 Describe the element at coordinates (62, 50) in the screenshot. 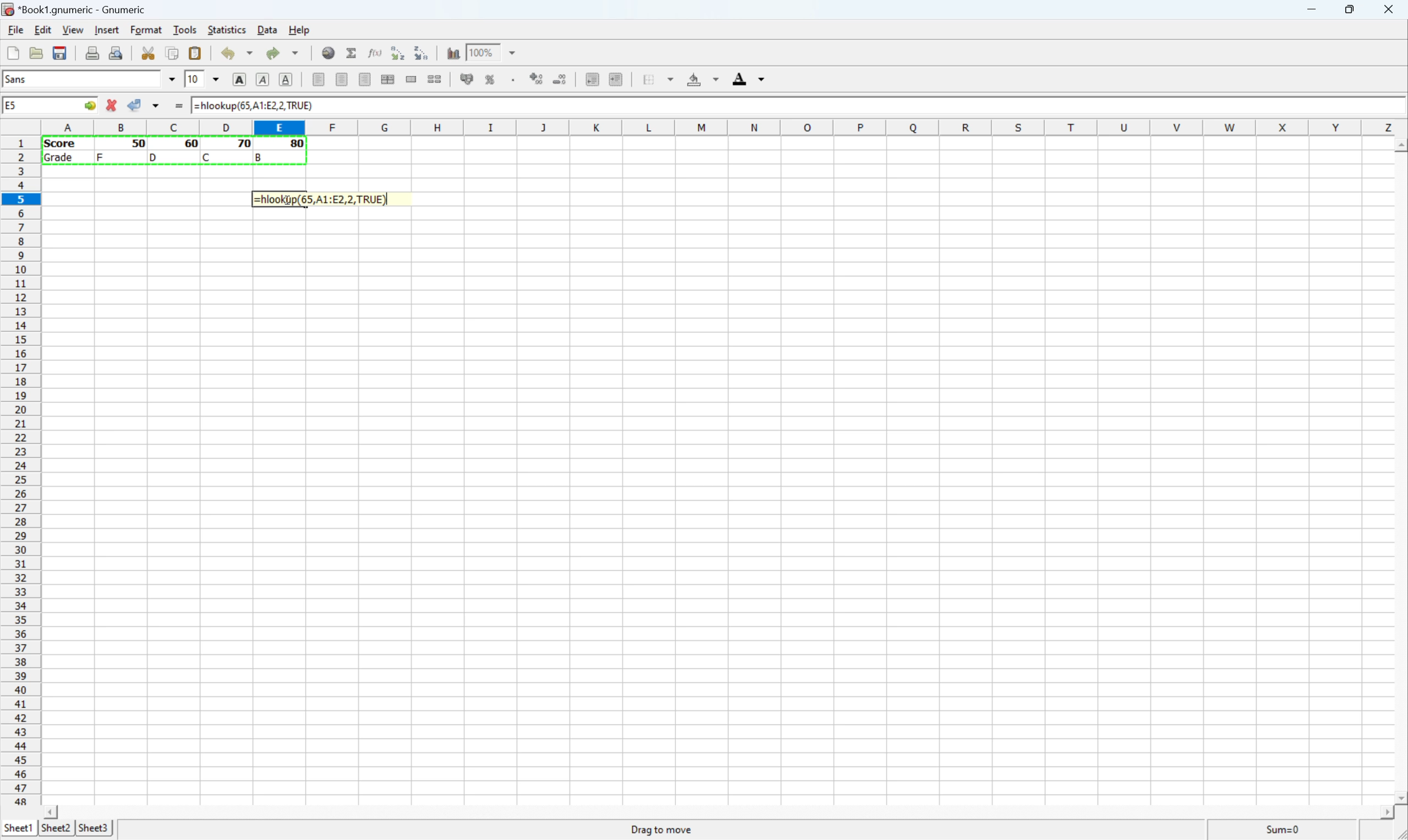

I see `Save a workbook` at that location.